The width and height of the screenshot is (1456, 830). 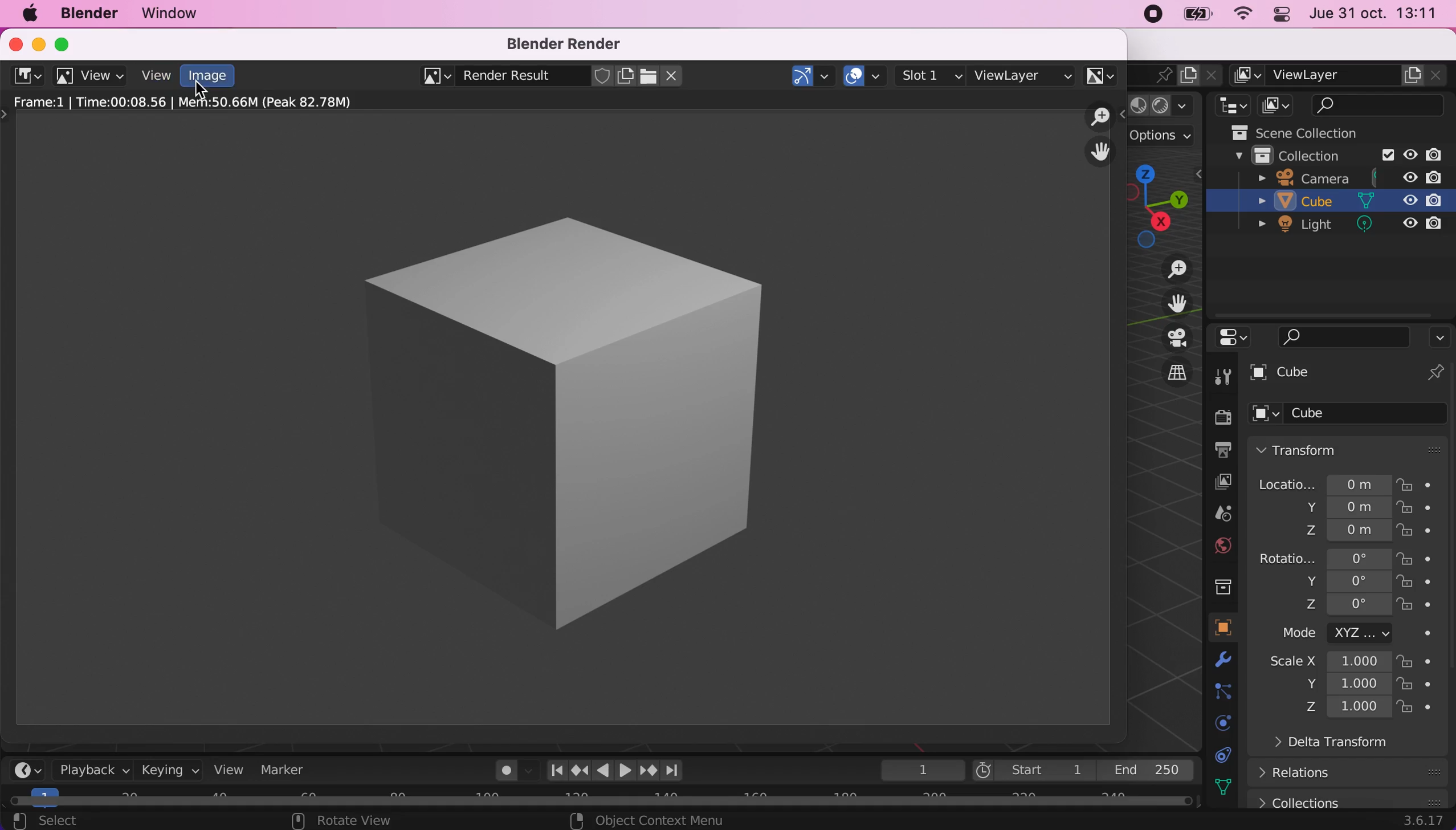 What do you see at coordinates (1223, 628) in the screenshot?
I see `object` at bounding box center [1223, 628].